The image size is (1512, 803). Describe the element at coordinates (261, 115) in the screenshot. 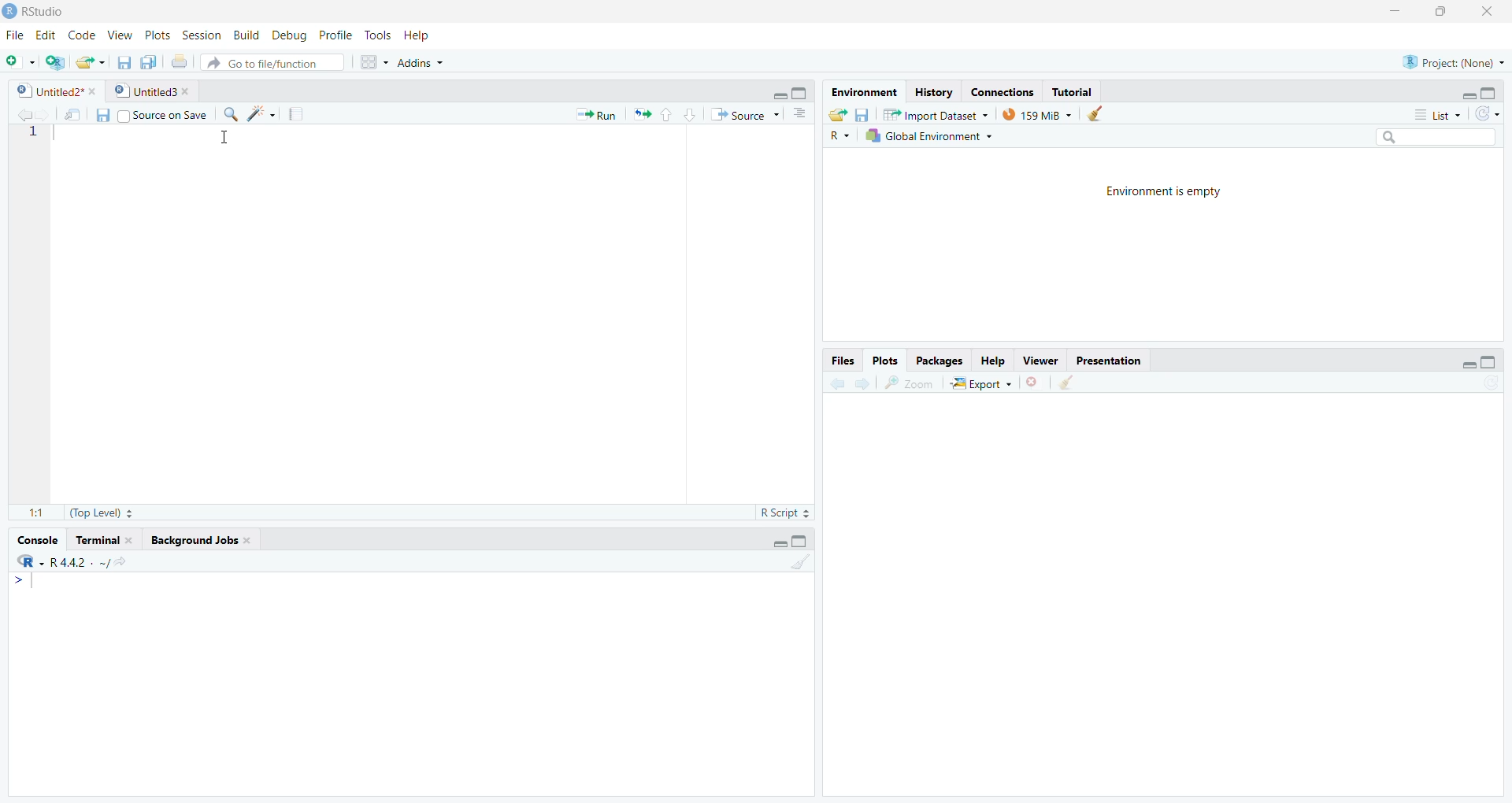

I see `Code Tools` at that location.